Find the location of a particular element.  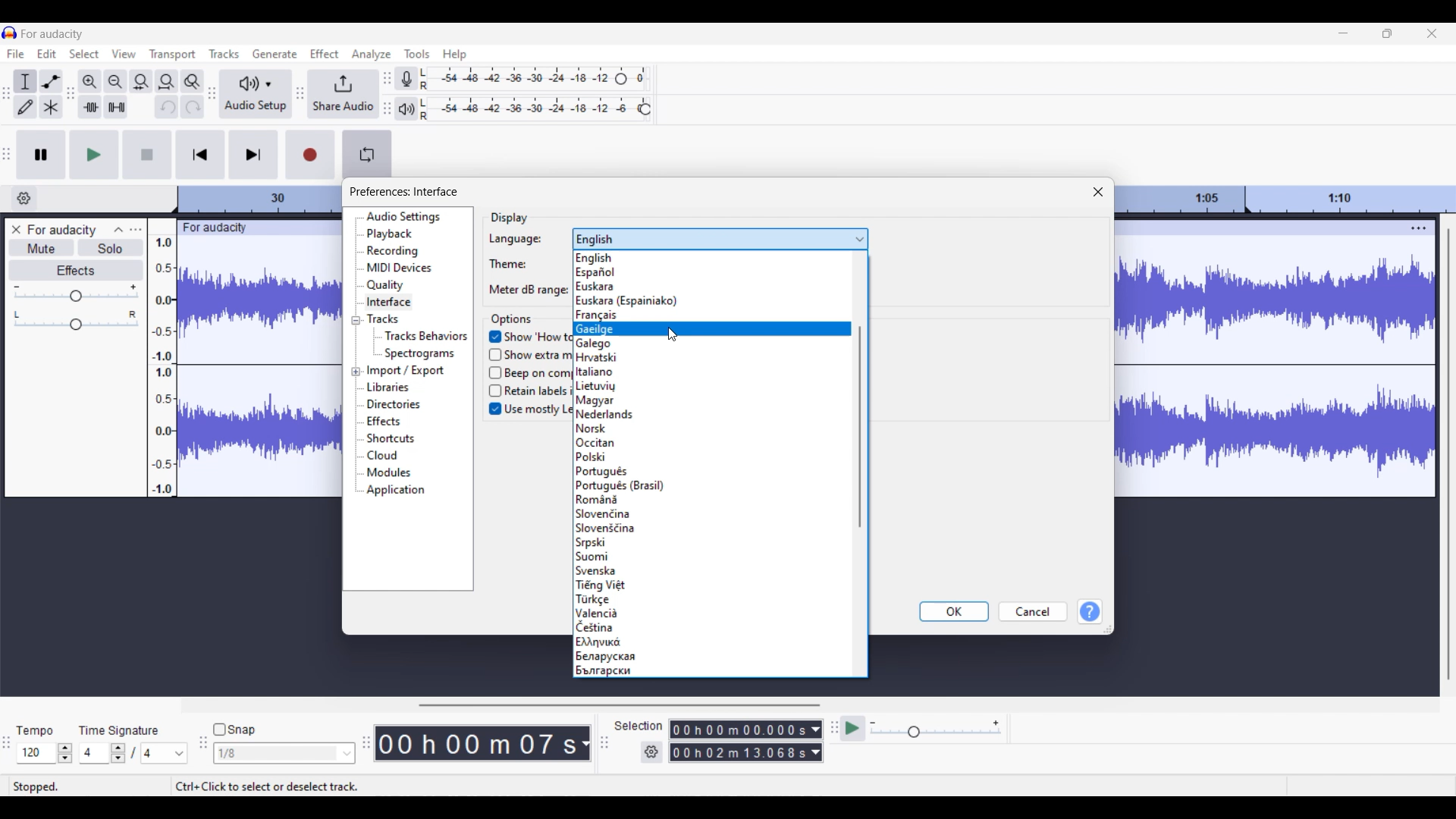

Hrvatski is located at coordinates (597, 356).